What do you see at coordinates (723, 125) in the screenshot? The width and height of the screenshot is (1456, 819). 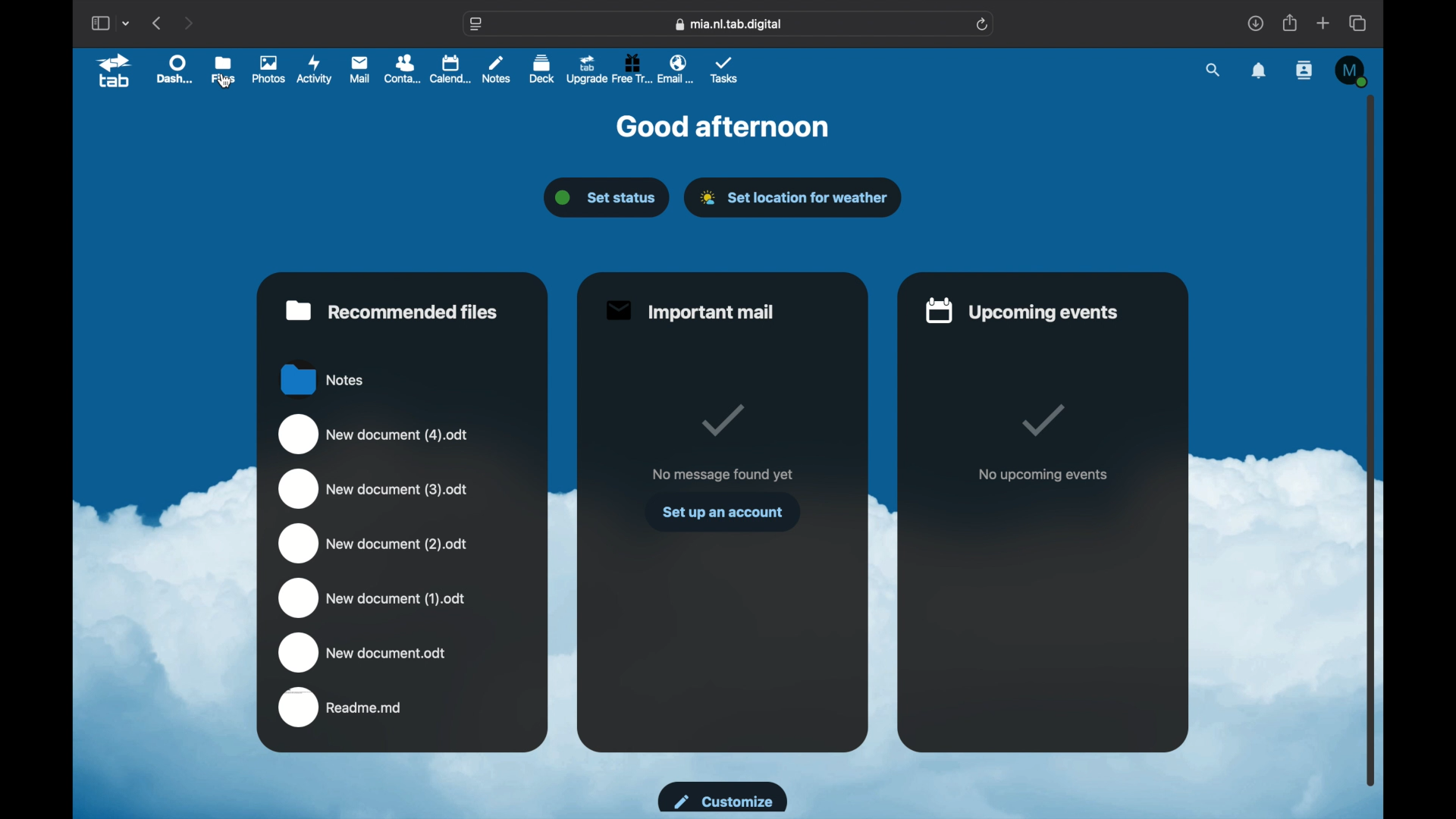 I see `good afternoon` at bounding box center [723, 125].